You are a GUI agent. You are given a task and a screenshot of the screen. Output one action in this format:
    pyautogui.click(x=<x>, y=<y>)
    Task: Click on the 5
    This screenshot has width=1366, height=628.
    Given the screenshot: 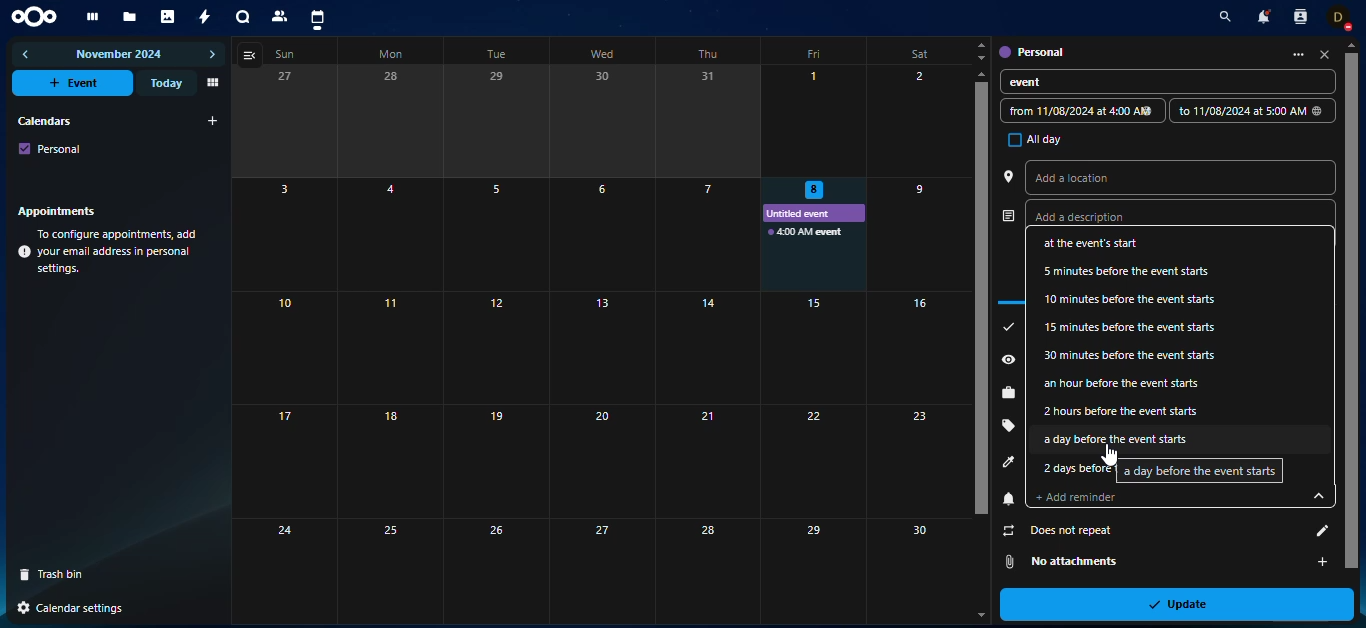 What is the action you would take?
    pyautogui.click(x=497, y=234)
    